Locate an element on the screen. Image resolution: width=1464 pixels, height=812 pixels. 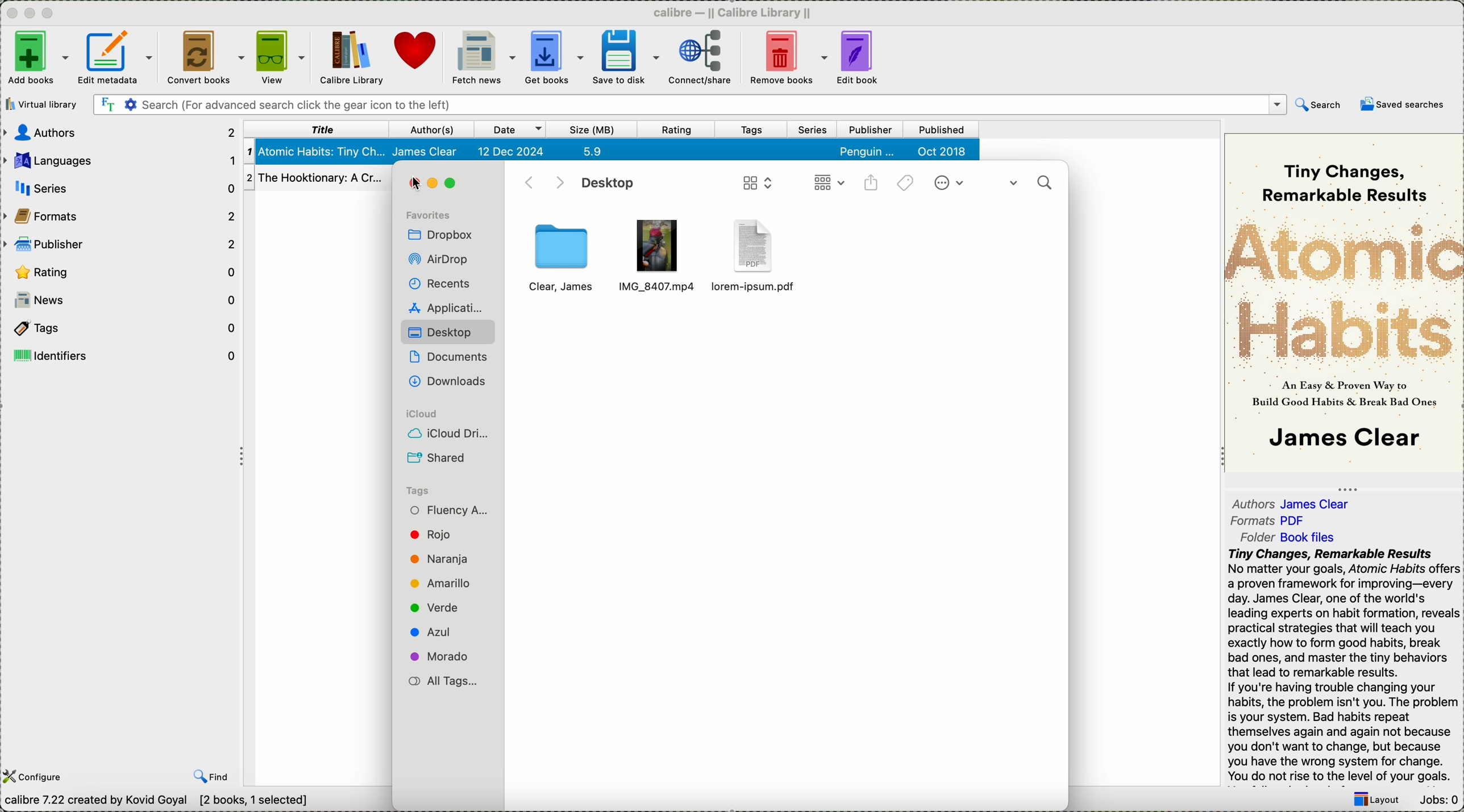
Calibre Calibre library is located at coordinates (733, 11).